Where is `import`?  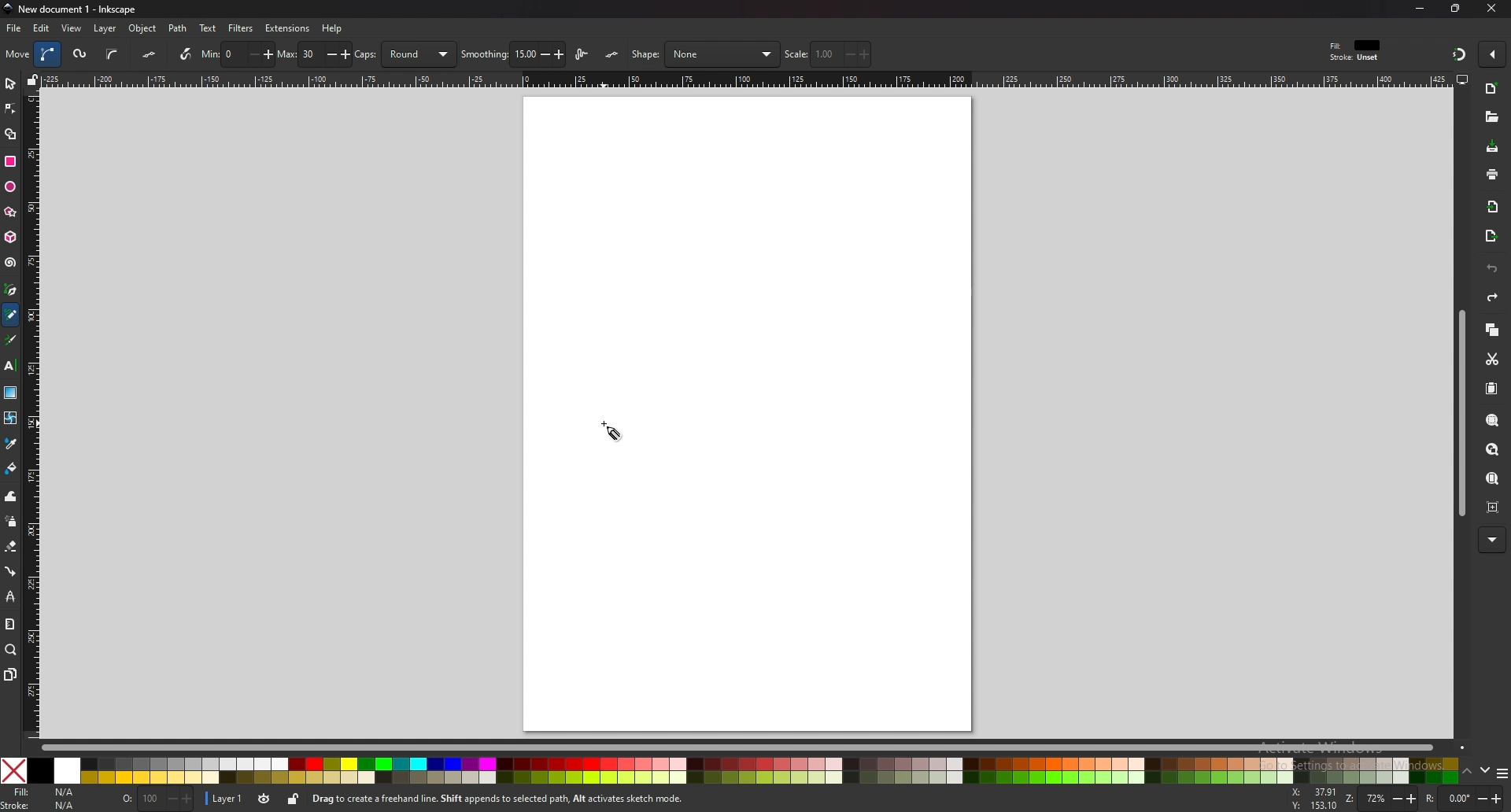
import is located at coordinates (1493, 206).